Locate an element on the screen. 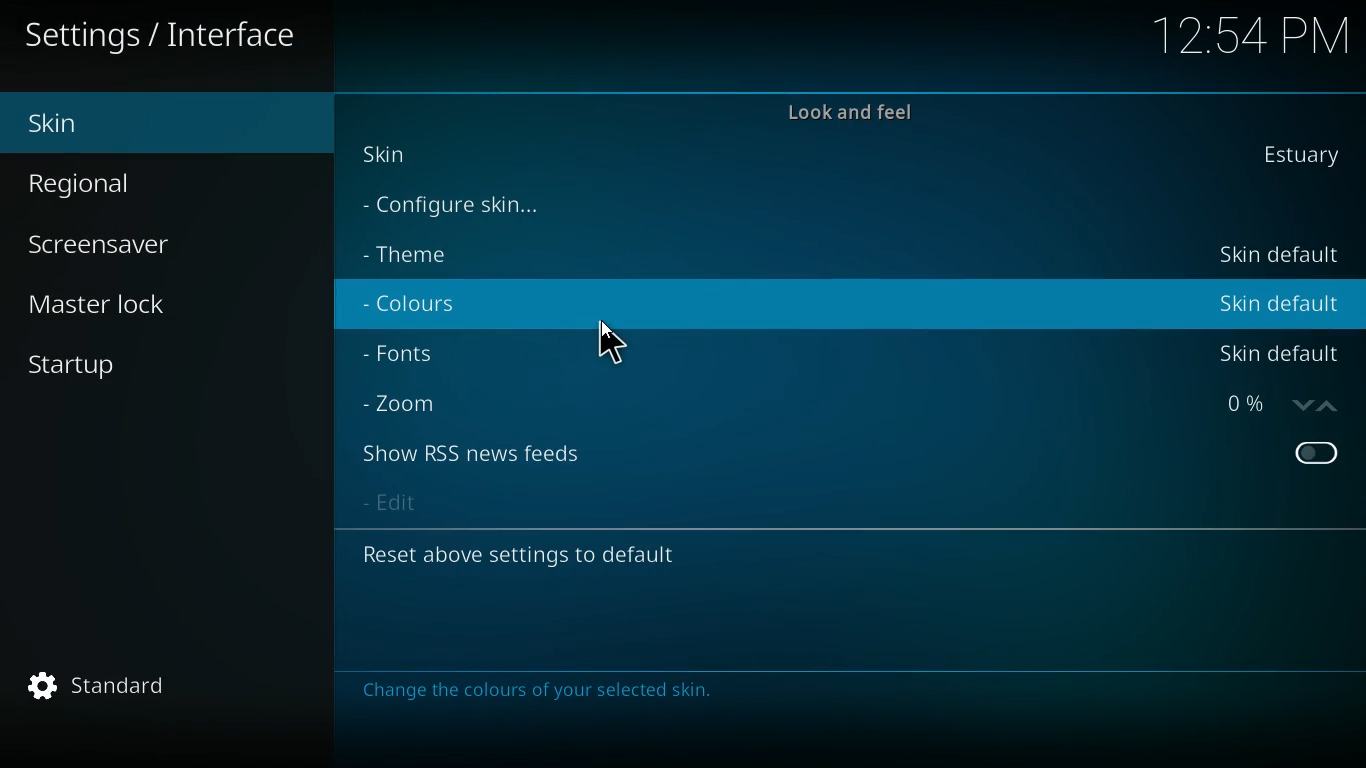 The height and width of the screenshot is (768, 1366). reset is located at coordinates (545, 555).